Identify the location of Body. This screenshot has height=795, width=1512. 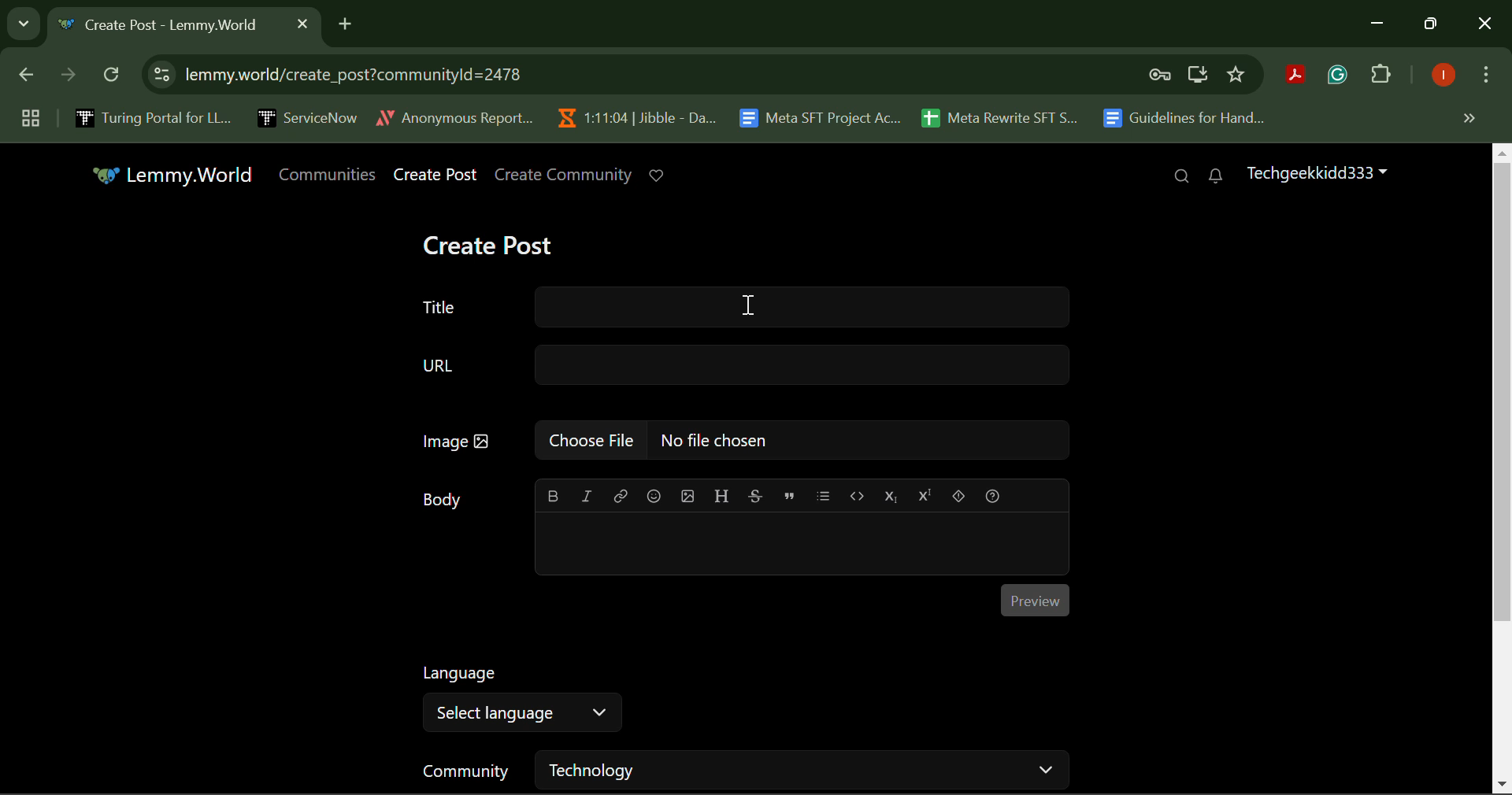
(443, 501).